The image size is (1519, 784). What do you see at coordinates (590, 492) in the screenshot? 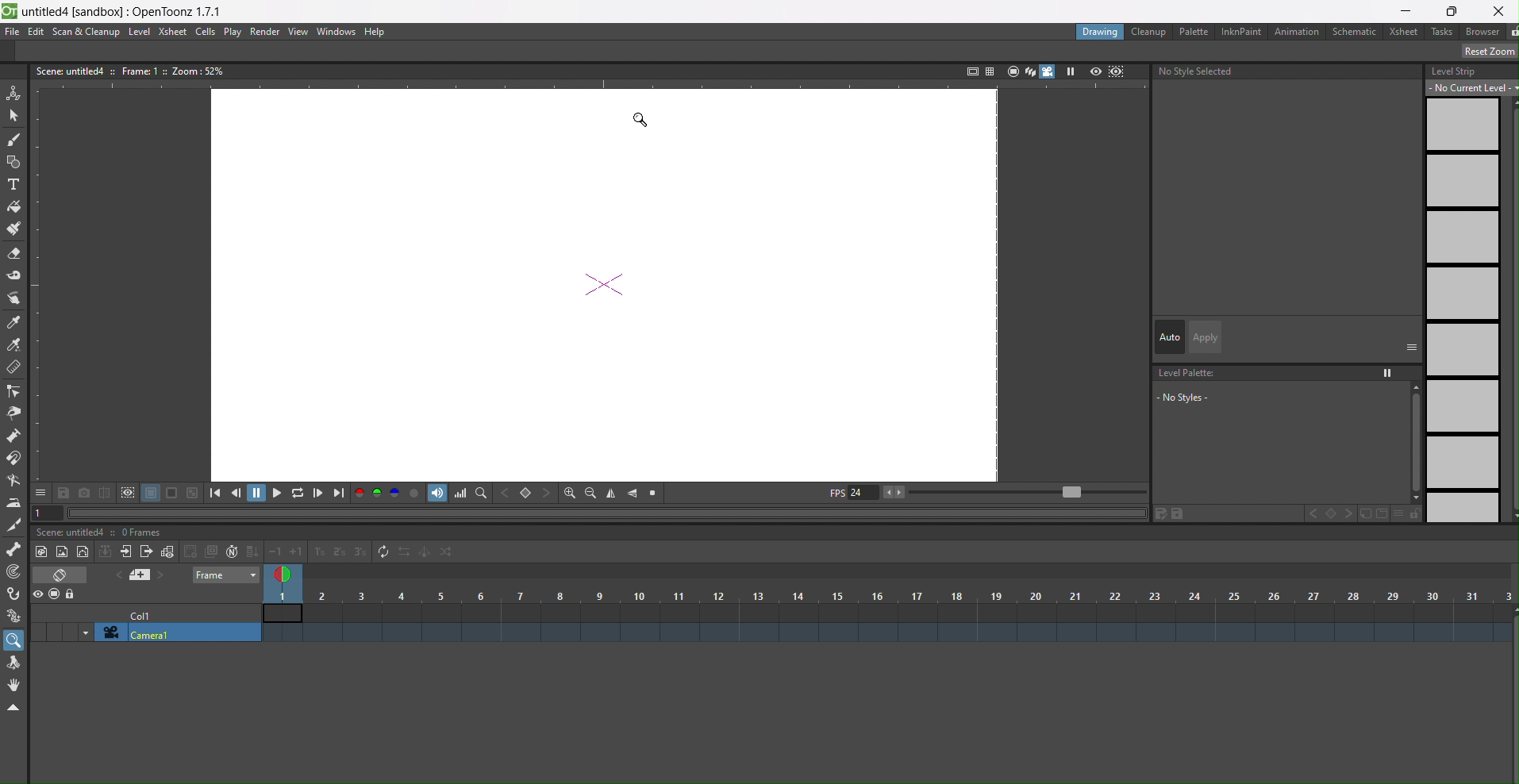
I see `zoom out` at bounding box center [590, 492].